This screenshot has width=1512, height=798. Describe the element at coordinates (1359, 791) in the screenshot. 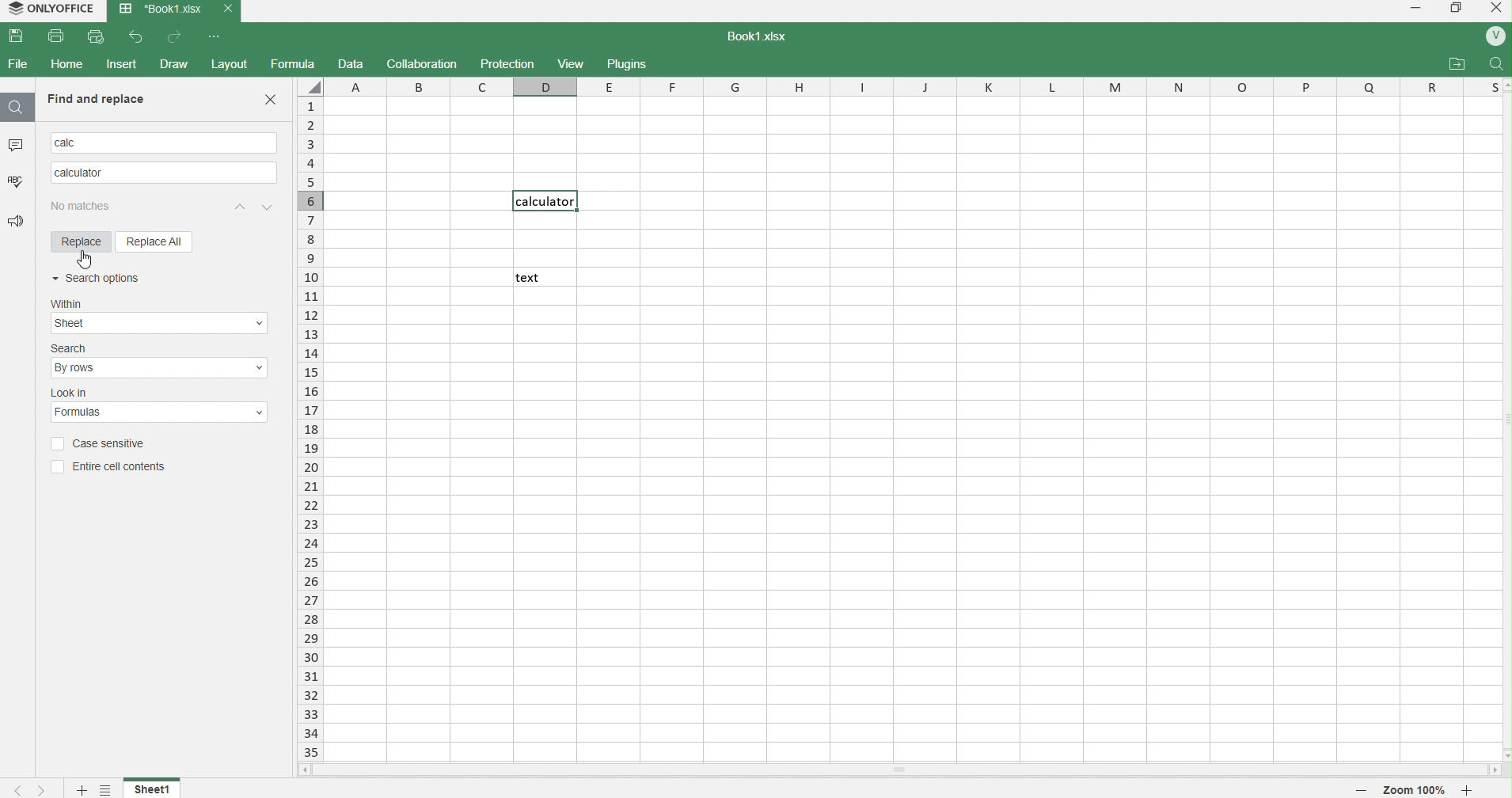

I see `zoom out` at that location.